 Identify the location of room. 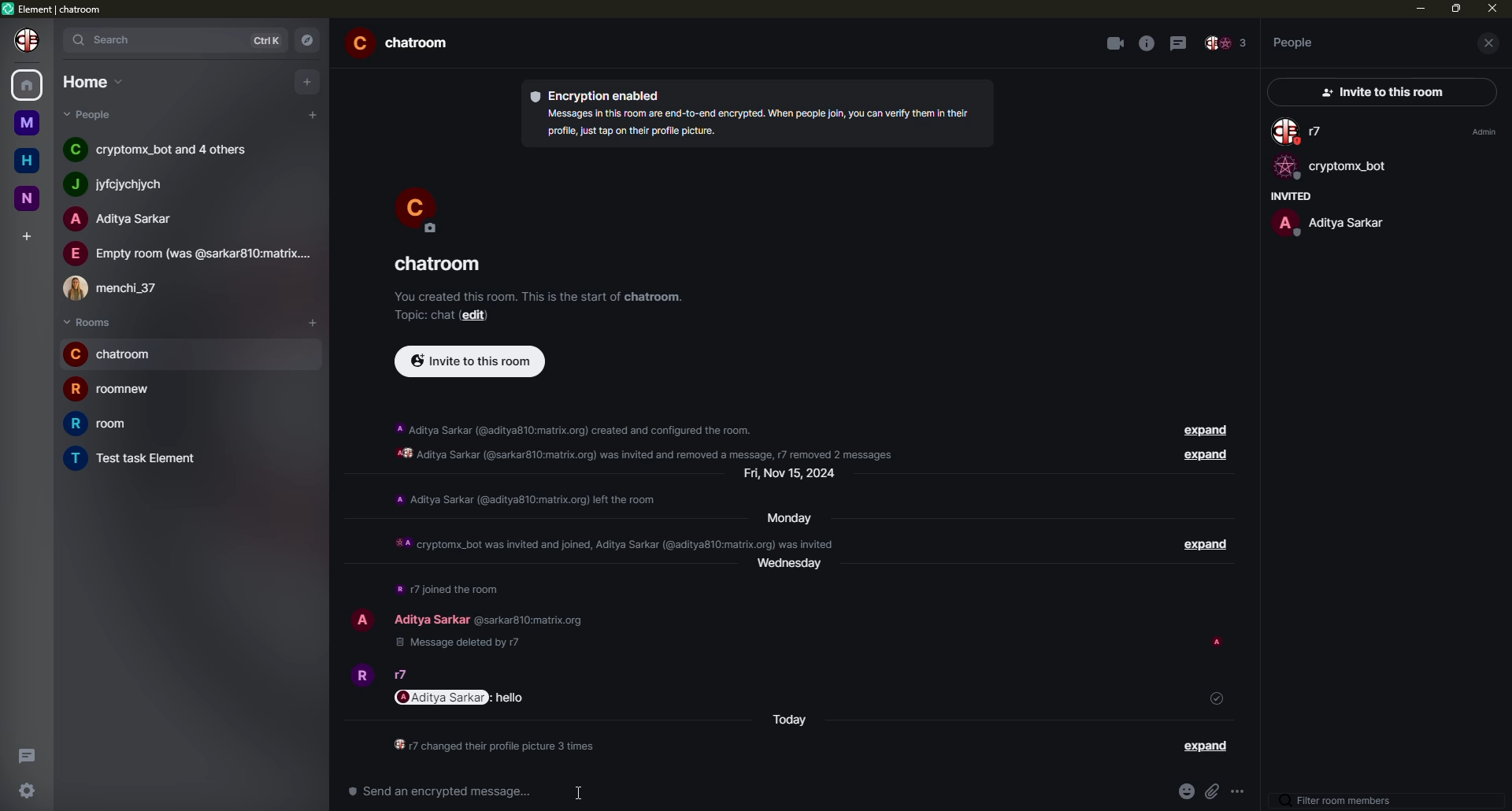
(437, 265).